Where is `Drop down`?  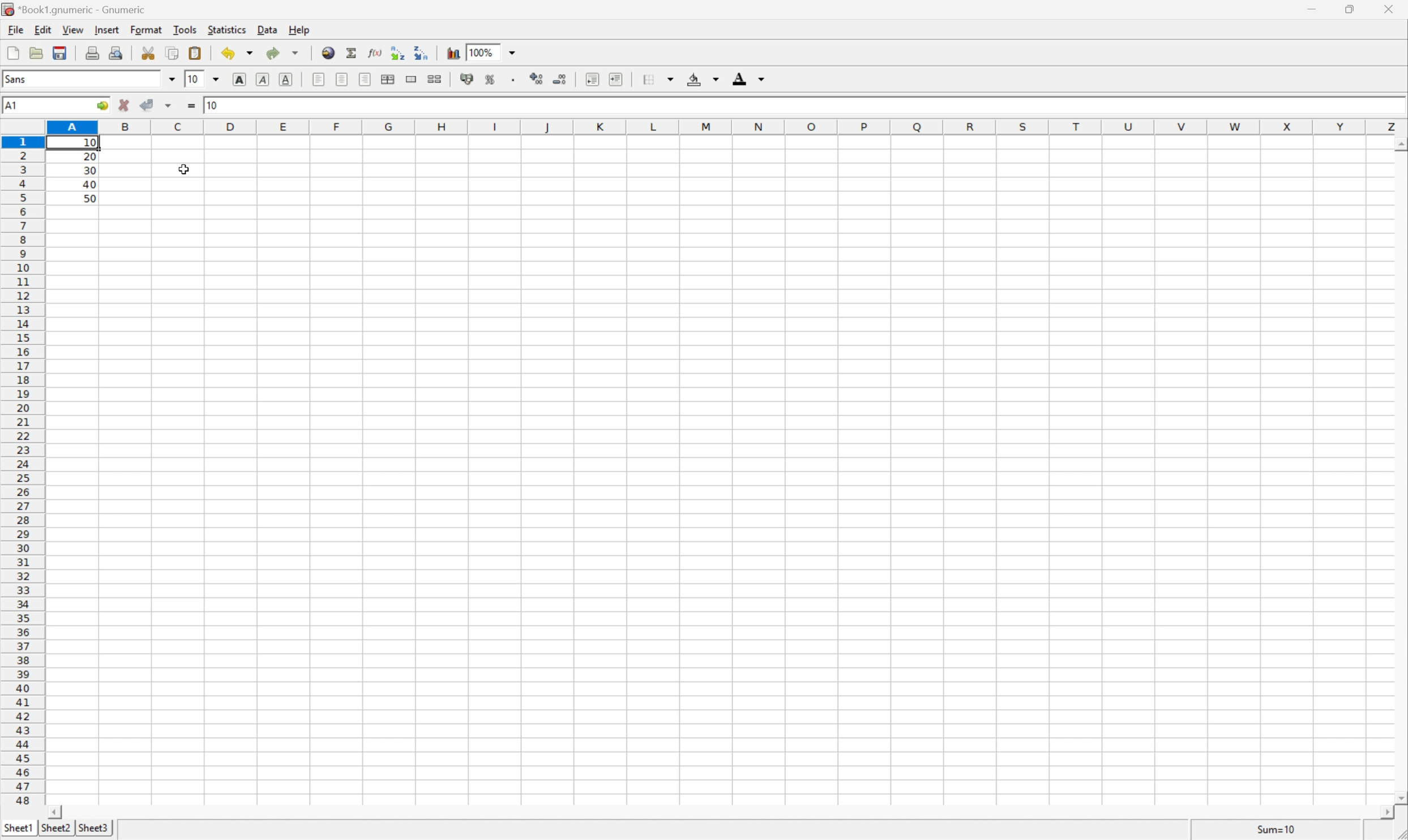 Drop down is located at coordinates (253, 54).